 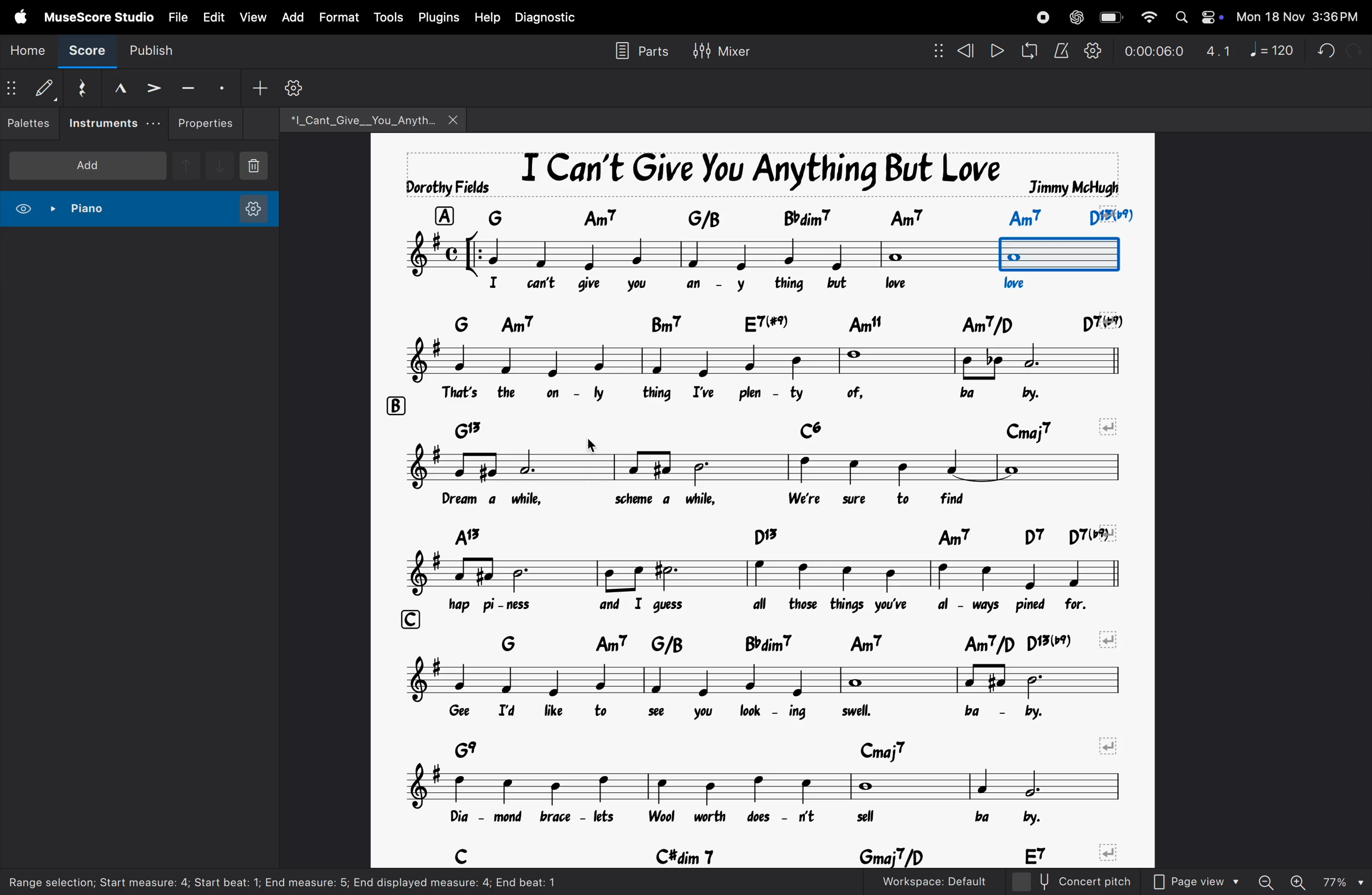 I want to click on chord symbols, so click(x=787, y=319).